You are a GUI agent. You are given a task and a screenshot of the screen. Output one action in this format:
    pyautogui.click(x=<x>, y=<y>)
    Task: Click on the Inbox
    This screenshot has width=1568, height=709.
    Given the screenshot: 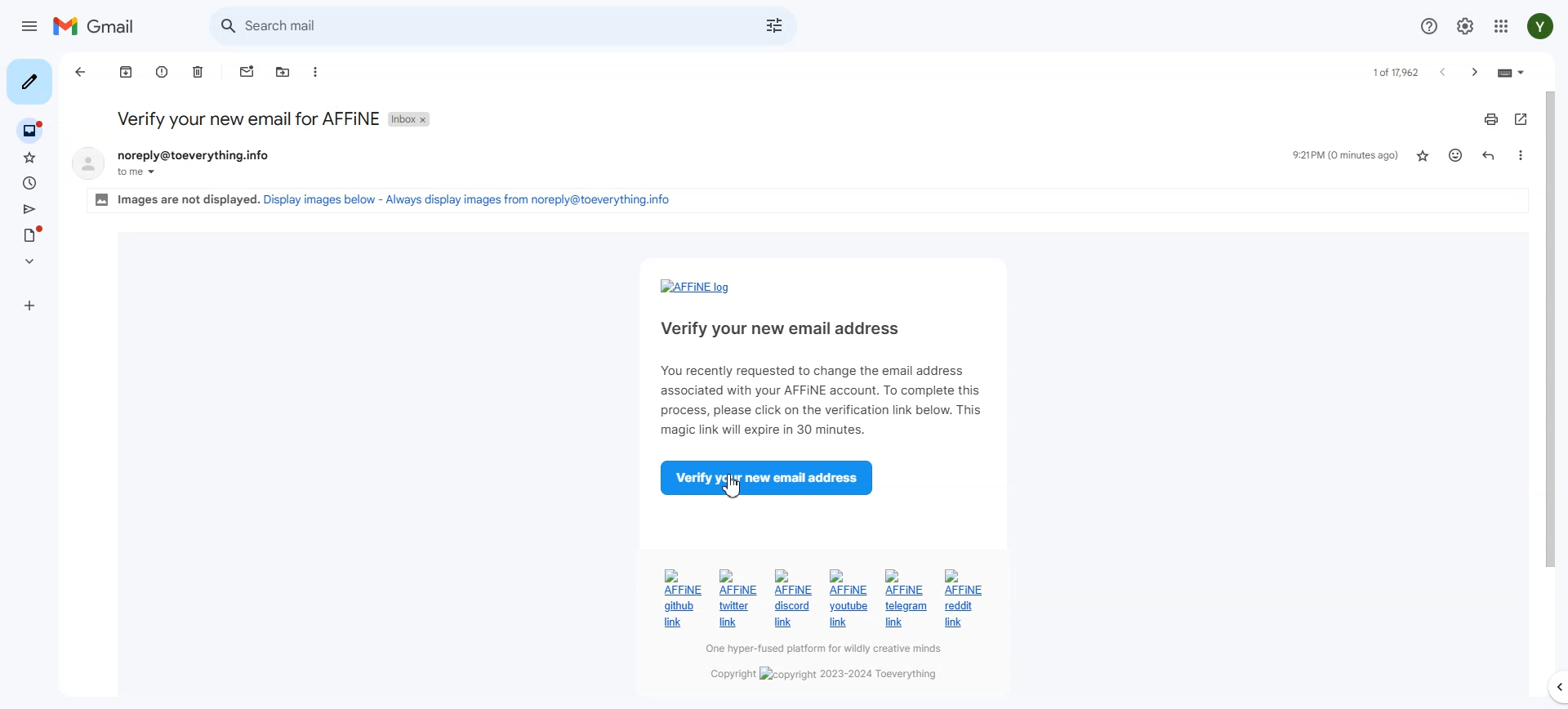 What is the action you would take?
    pyautogui.click(x=30, y=130)
    